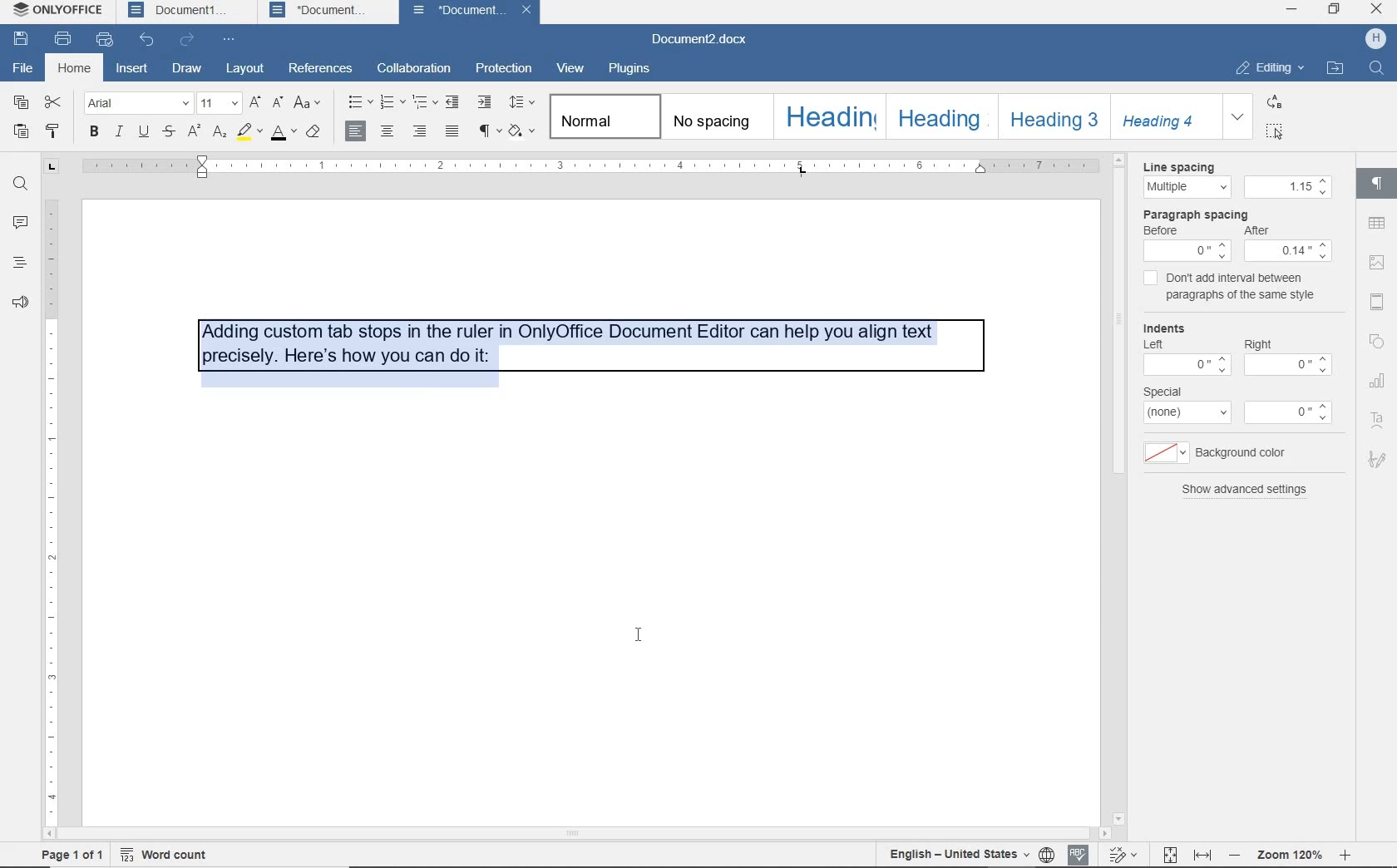  Describe the element at coordinates (52, 104) in the screenshot. I see `cut` at that location.